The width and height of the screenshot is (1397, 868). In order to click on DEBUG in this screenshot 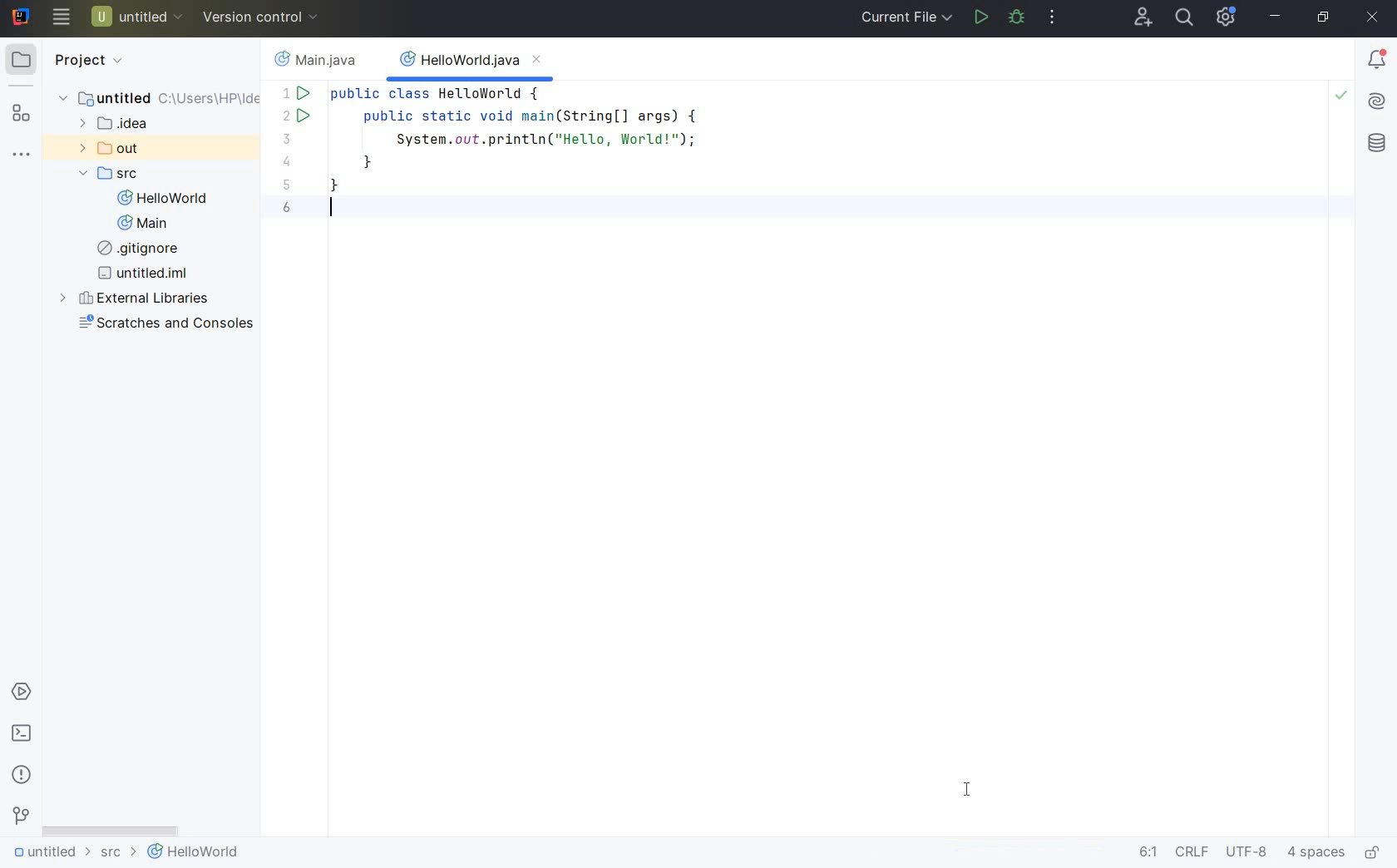, I will do `click(1018, 17)`.